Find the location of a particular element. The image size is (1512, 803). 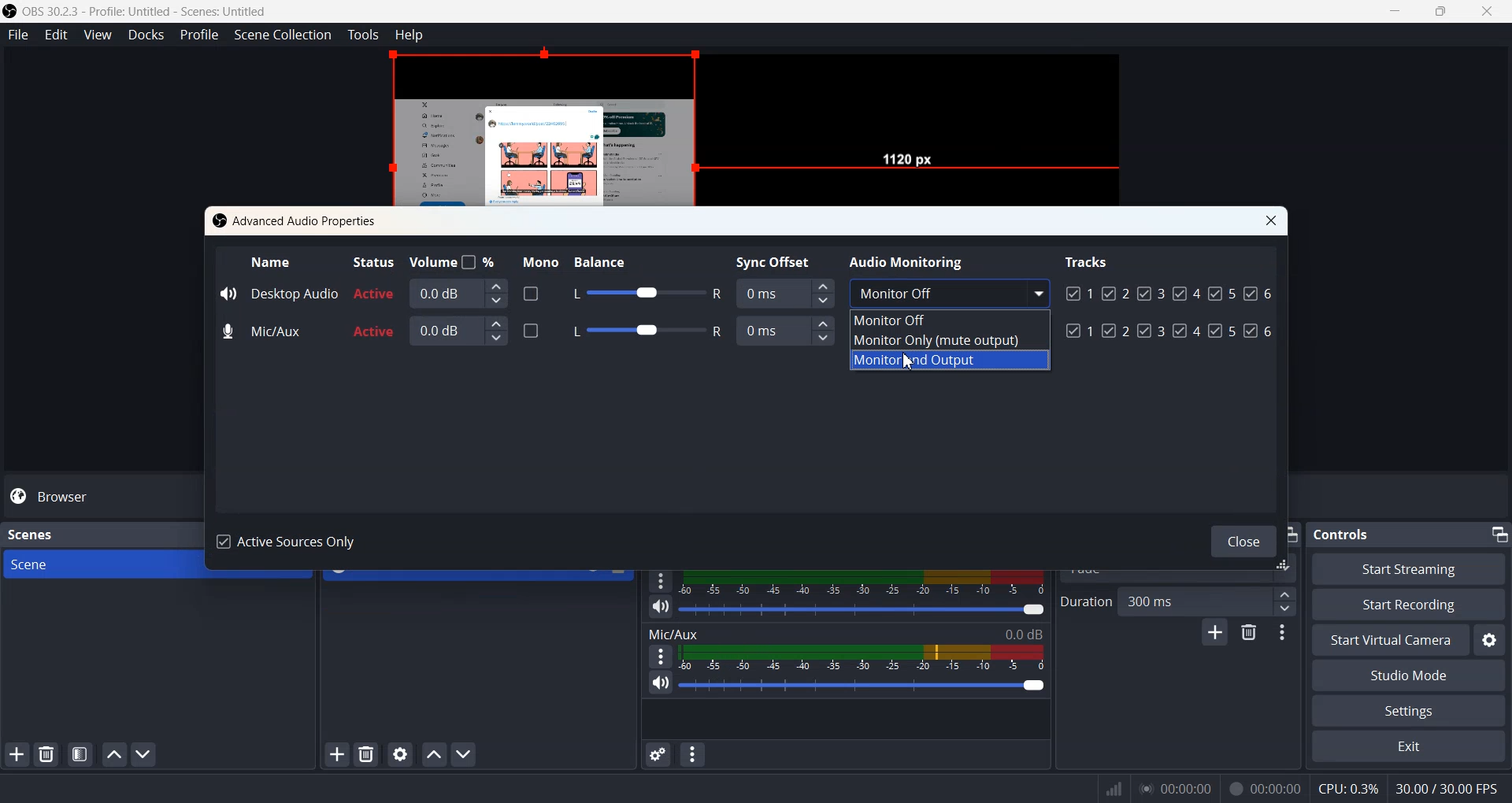

Profile is located at coordinates (200, 35).